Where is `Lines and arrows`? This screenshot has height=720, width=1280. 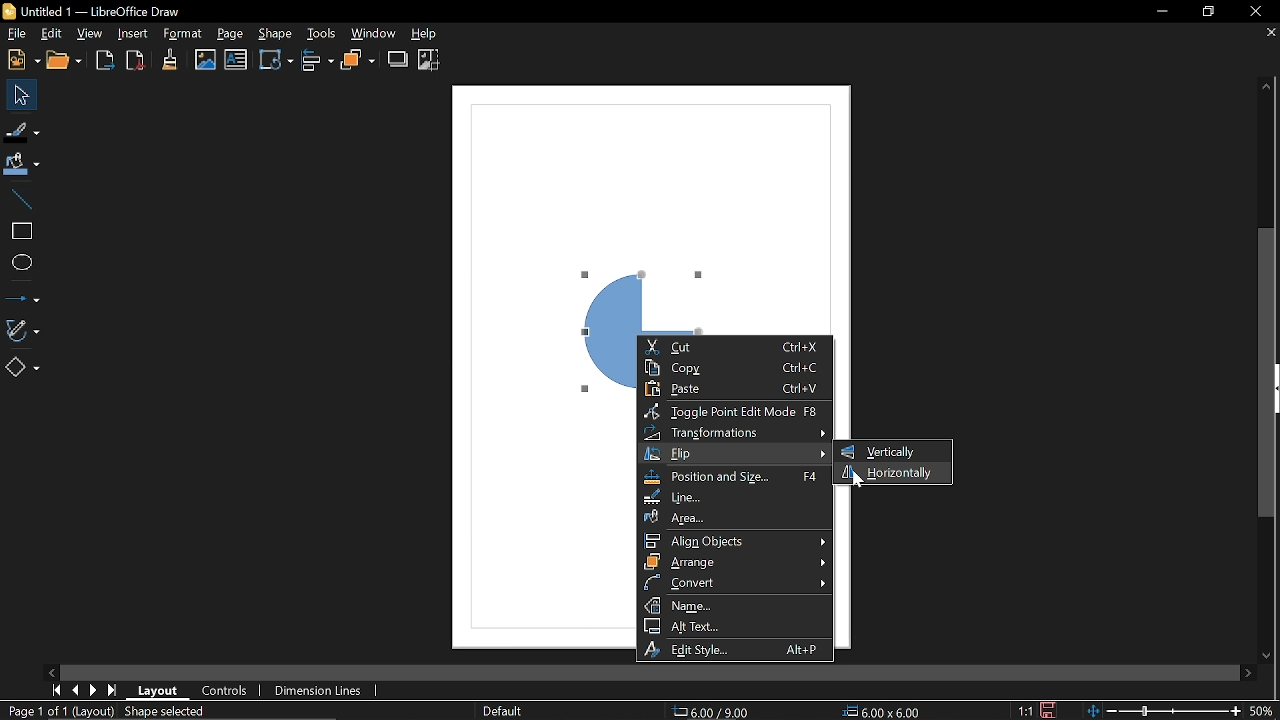 Lines and arrows is located at coordinates (24, 293).